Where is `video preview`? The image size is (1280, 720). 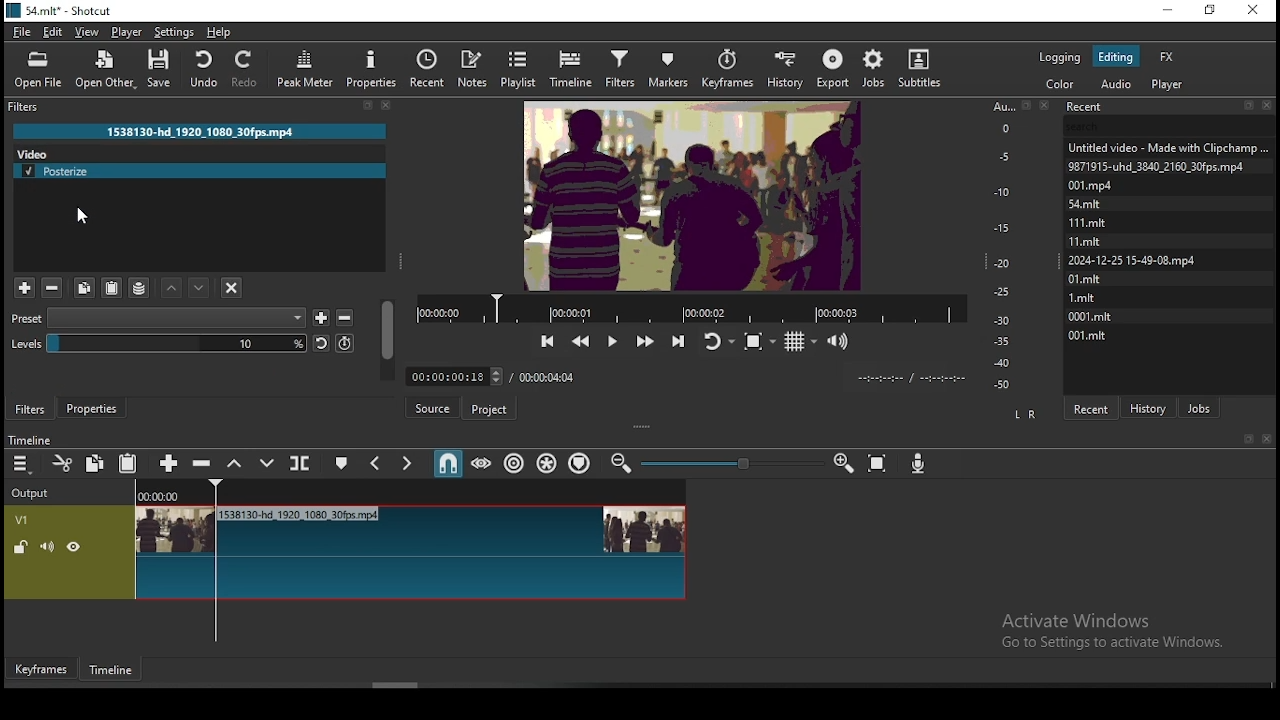 video preview is located at coordinates (690, 195).